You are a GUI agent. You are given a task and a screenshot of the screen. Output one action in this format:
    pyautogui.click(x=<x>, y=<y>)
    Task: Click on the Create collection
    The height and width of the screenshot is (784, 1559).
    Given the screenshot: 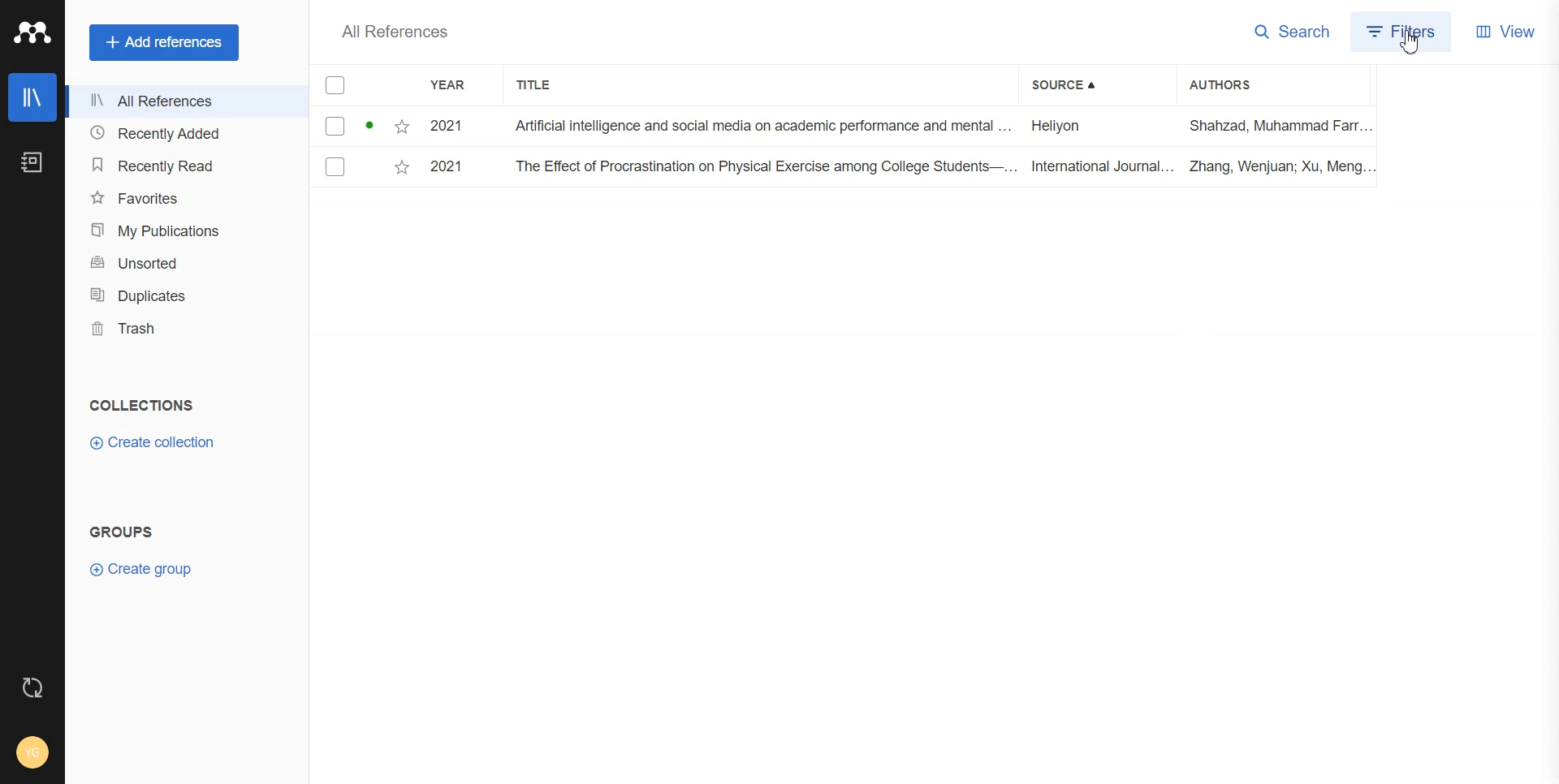 What is the action you would take?
    pyautogui.click(x=153, y=442)
    